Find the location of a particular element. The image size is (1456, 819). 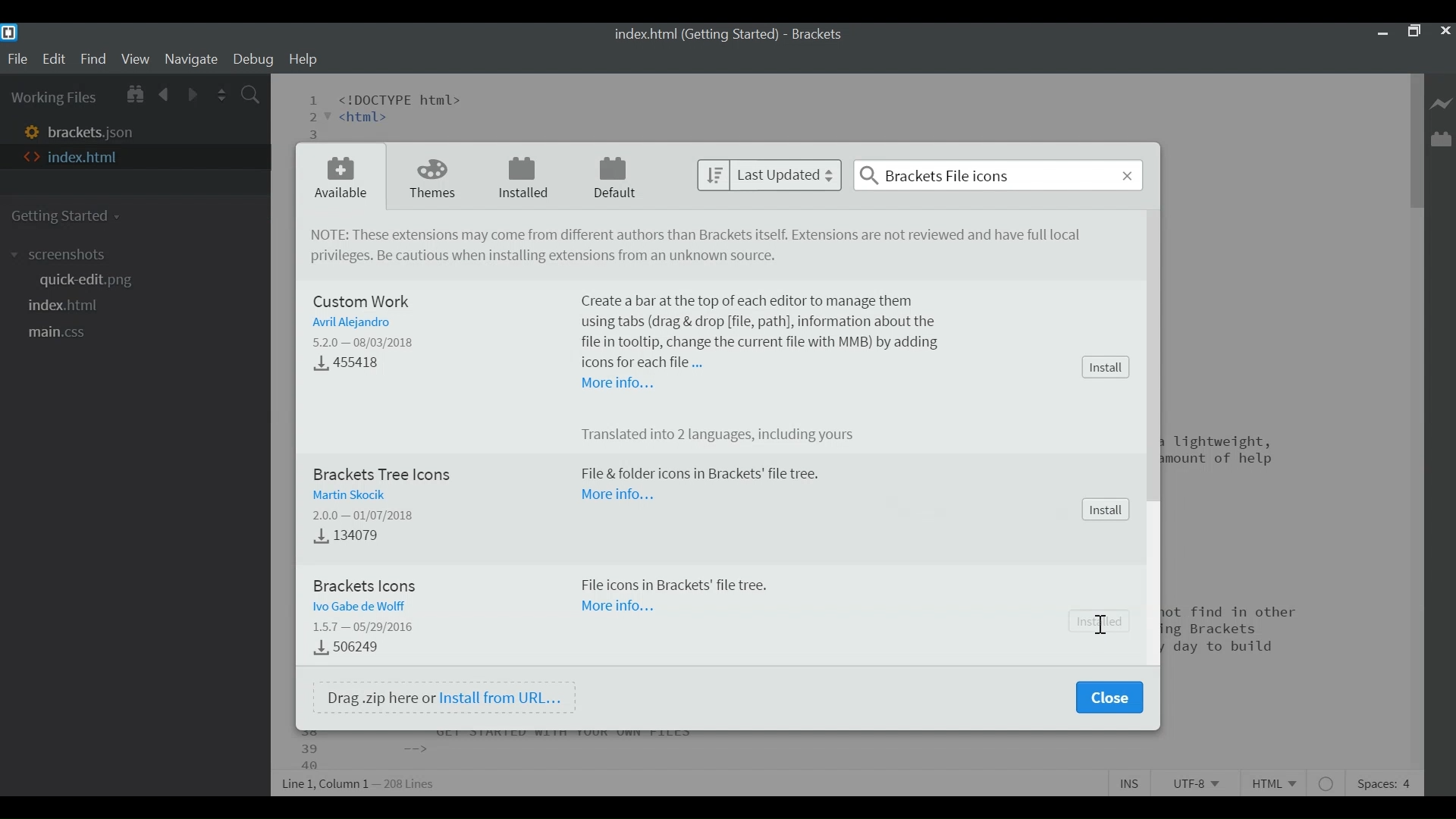

Vertical Scroll bar is located at coordinates (1416, 139).